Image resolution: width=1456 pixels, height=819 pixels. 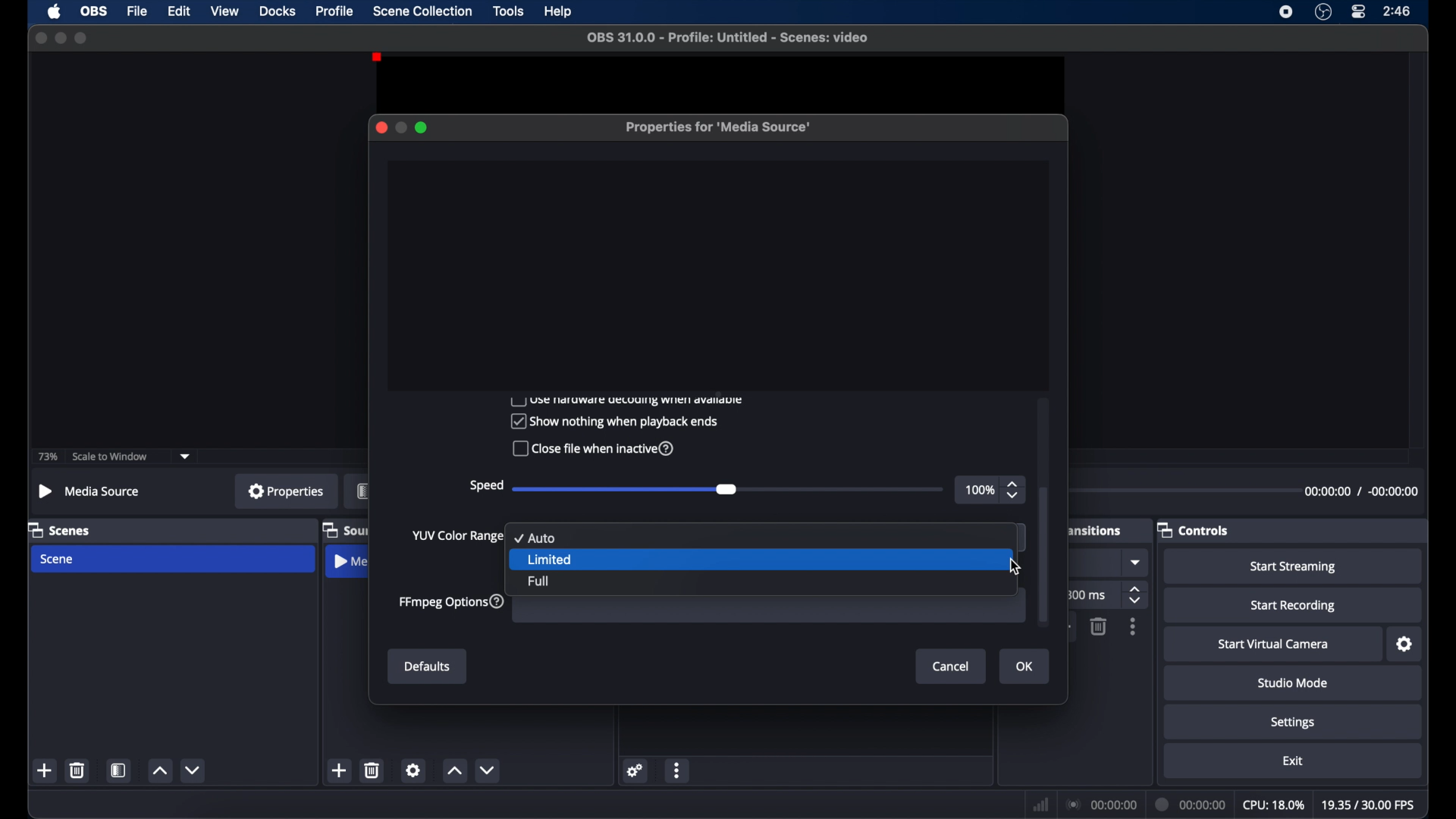 What do you see at coordinates (381, 127) in the screenshot?
I see `close` at bounding box center [381, 127].